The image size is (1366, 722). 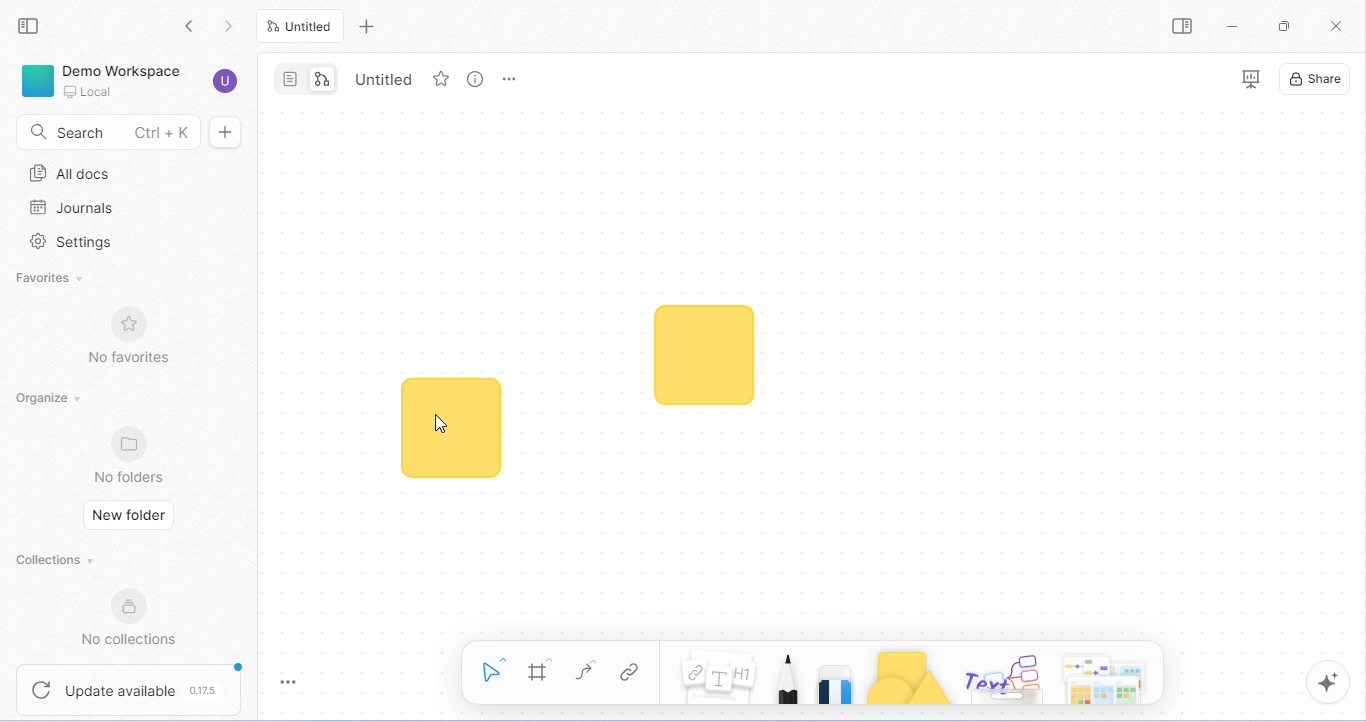 I want to click on shape, so click(x=452, y=427).